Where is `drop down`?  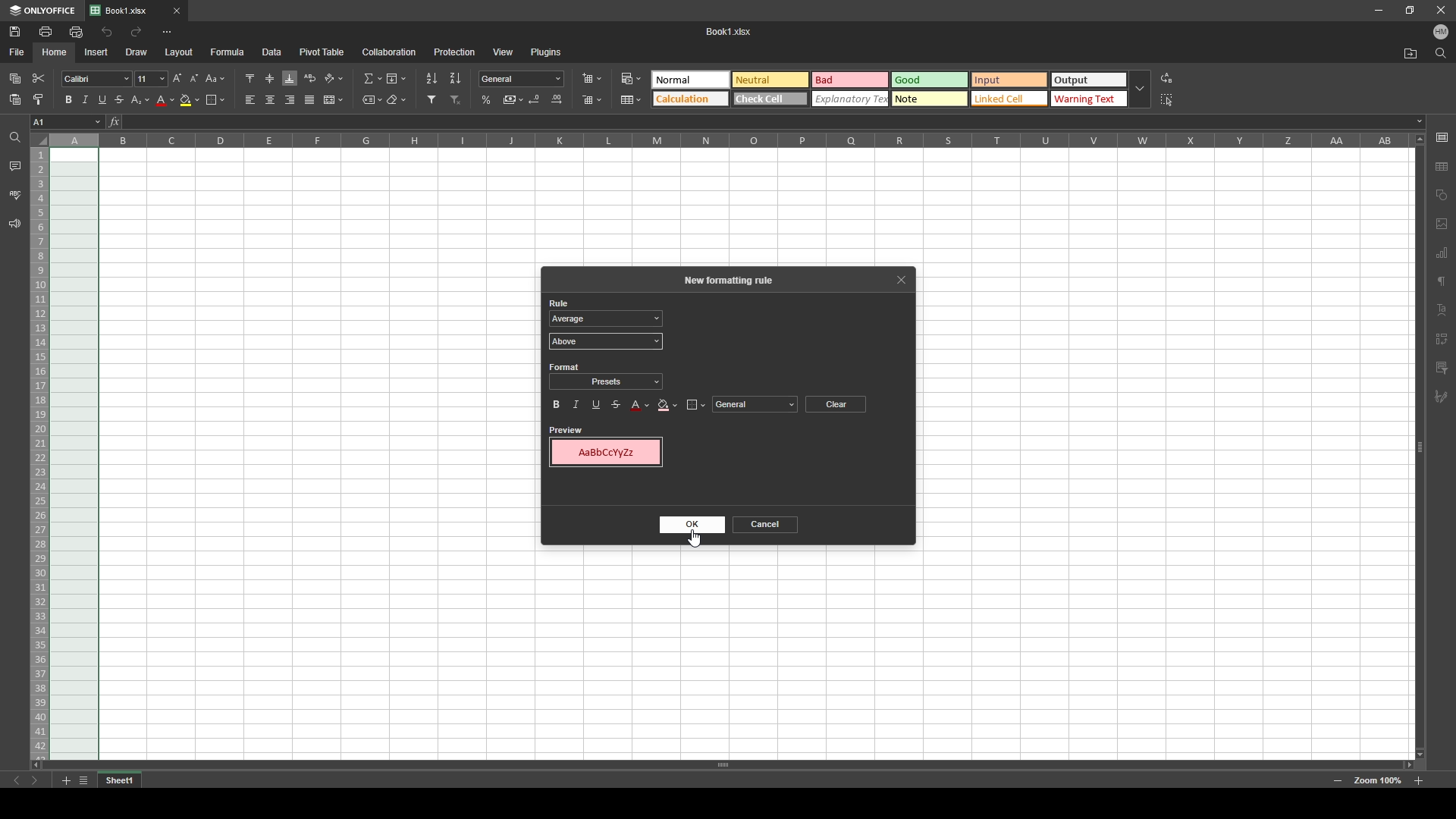
drop down is located at coordinates (1141, 90).